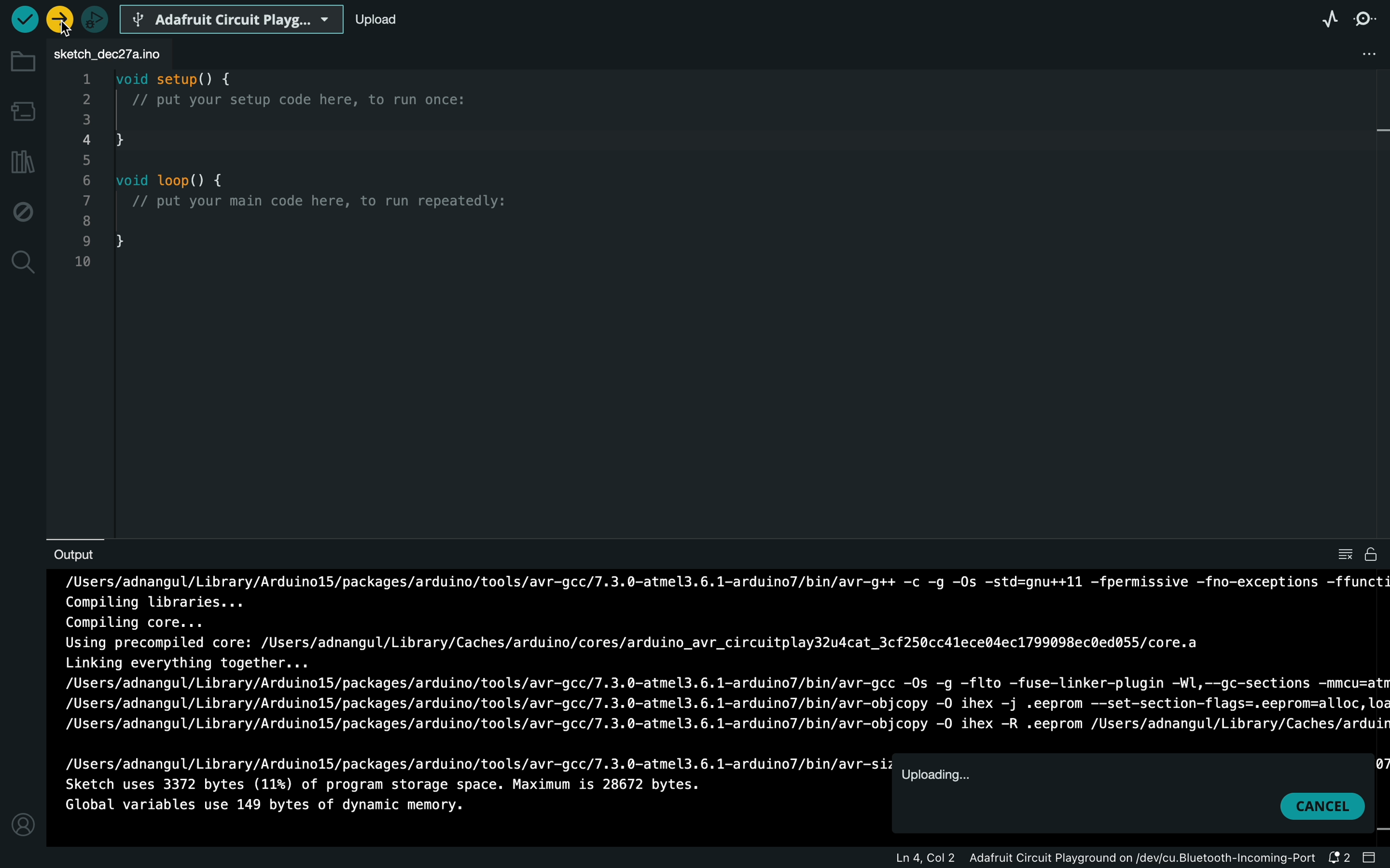  I want to click on code, so click(315, 180).